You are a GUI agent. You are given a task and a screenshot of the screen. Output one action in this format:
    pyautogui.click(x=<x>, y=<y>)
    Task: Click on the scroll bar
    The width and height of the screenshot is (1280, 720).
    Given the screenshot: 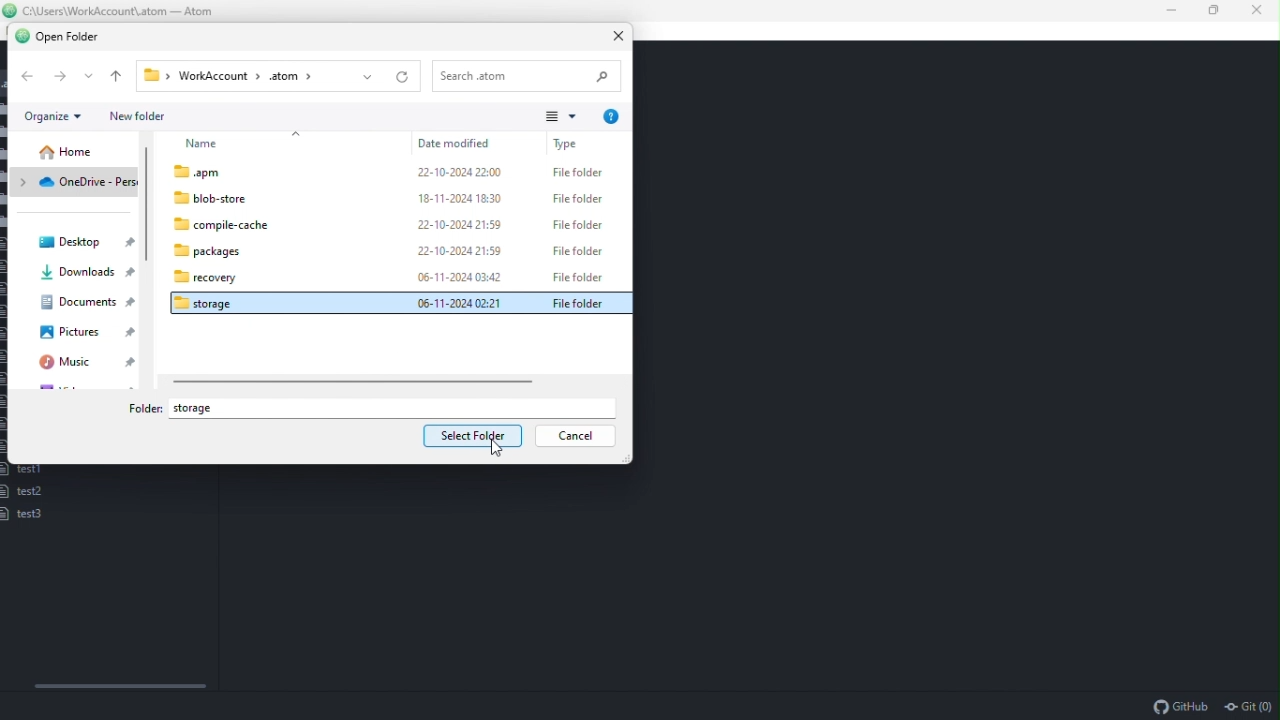 What is the action you would take?
    pyautogui.click(x=147, y=252)
    